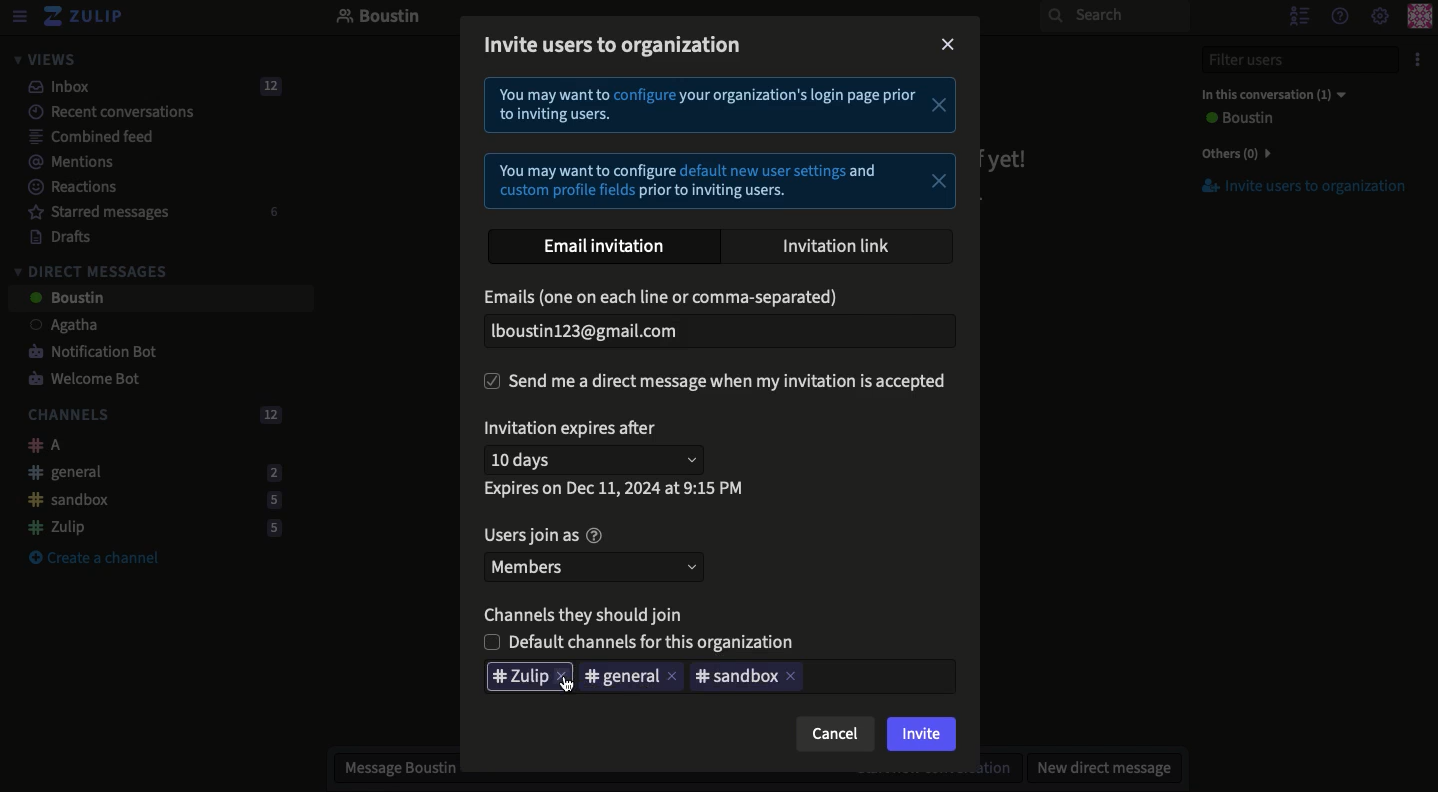 The height and width of the screenshot is (792, 1438). I want to click on Recent conversations, so click(99, 111).